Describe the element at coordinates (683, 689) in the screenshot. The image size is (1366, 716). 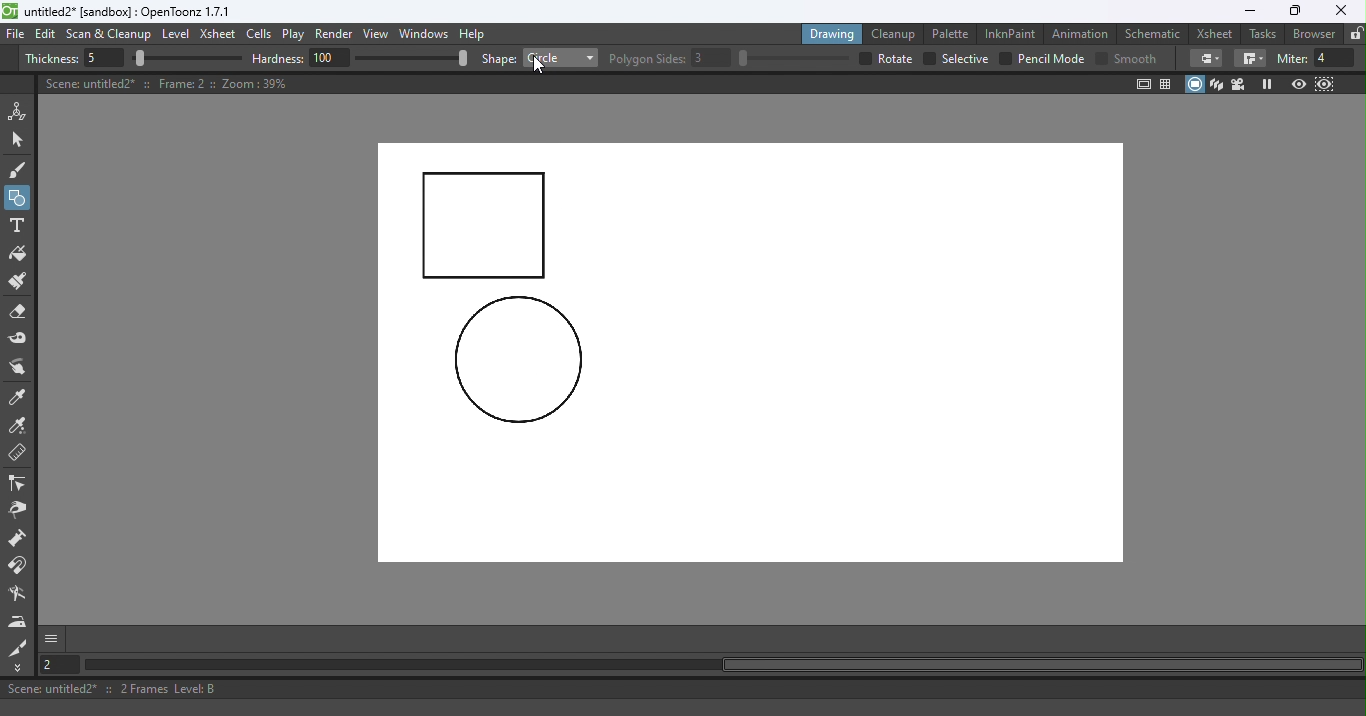
I see `Status bar` at that location.